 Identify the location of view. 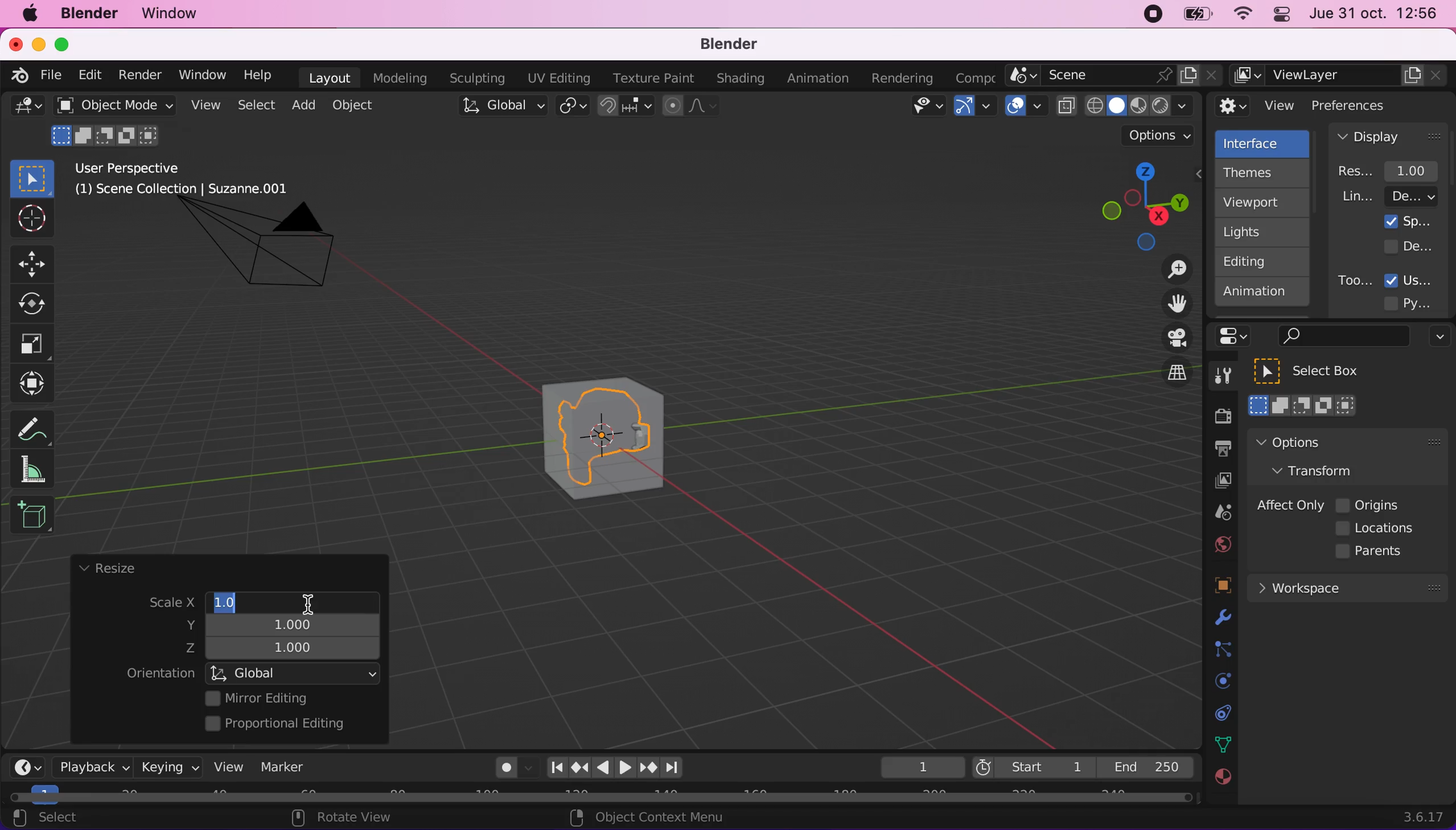
(1256, 106).